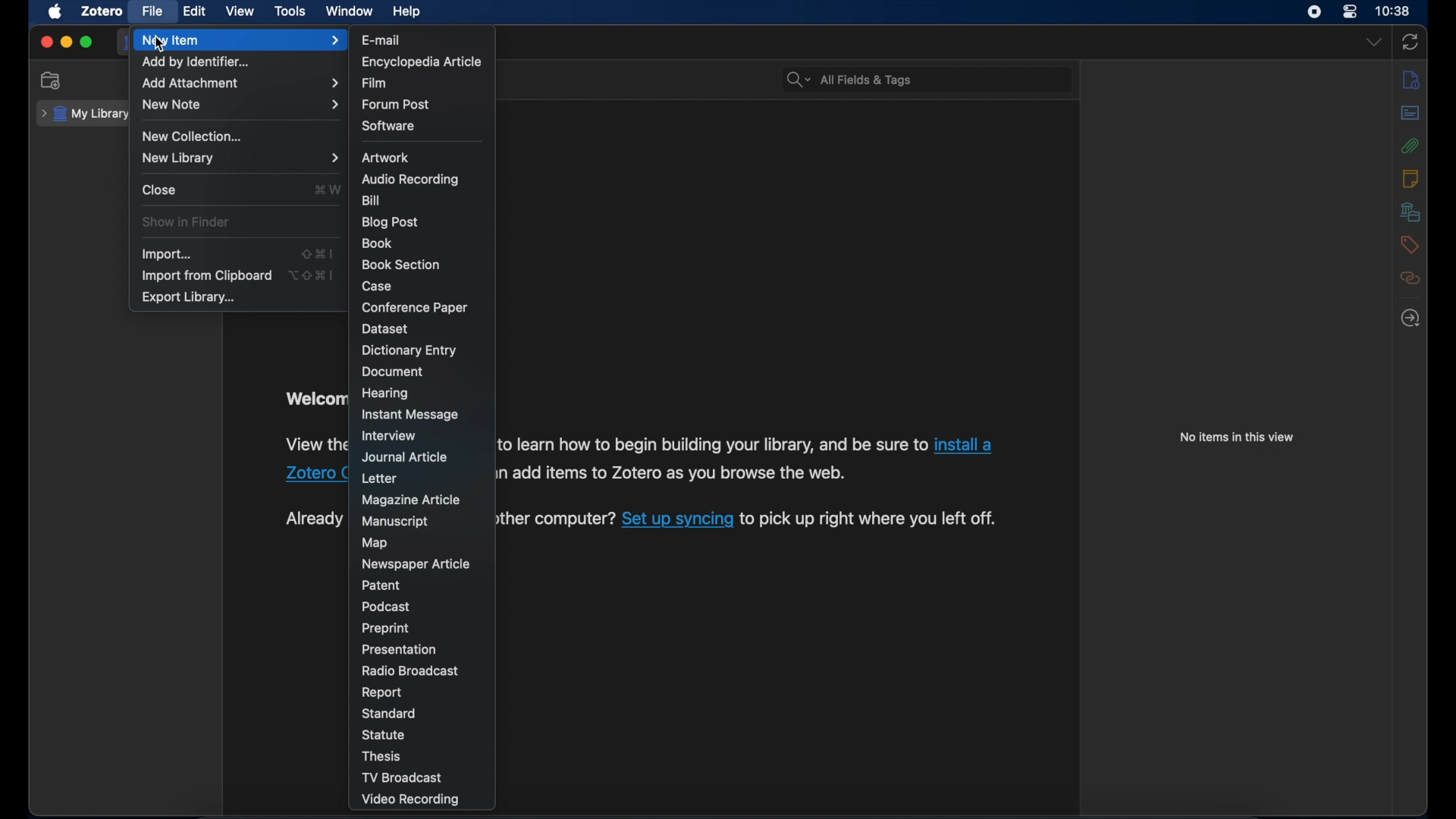 This screenshot has width=1456, height=819. Describe the element at coordinates (413, 415) in the screenshot. I see `instant  message` at that location.